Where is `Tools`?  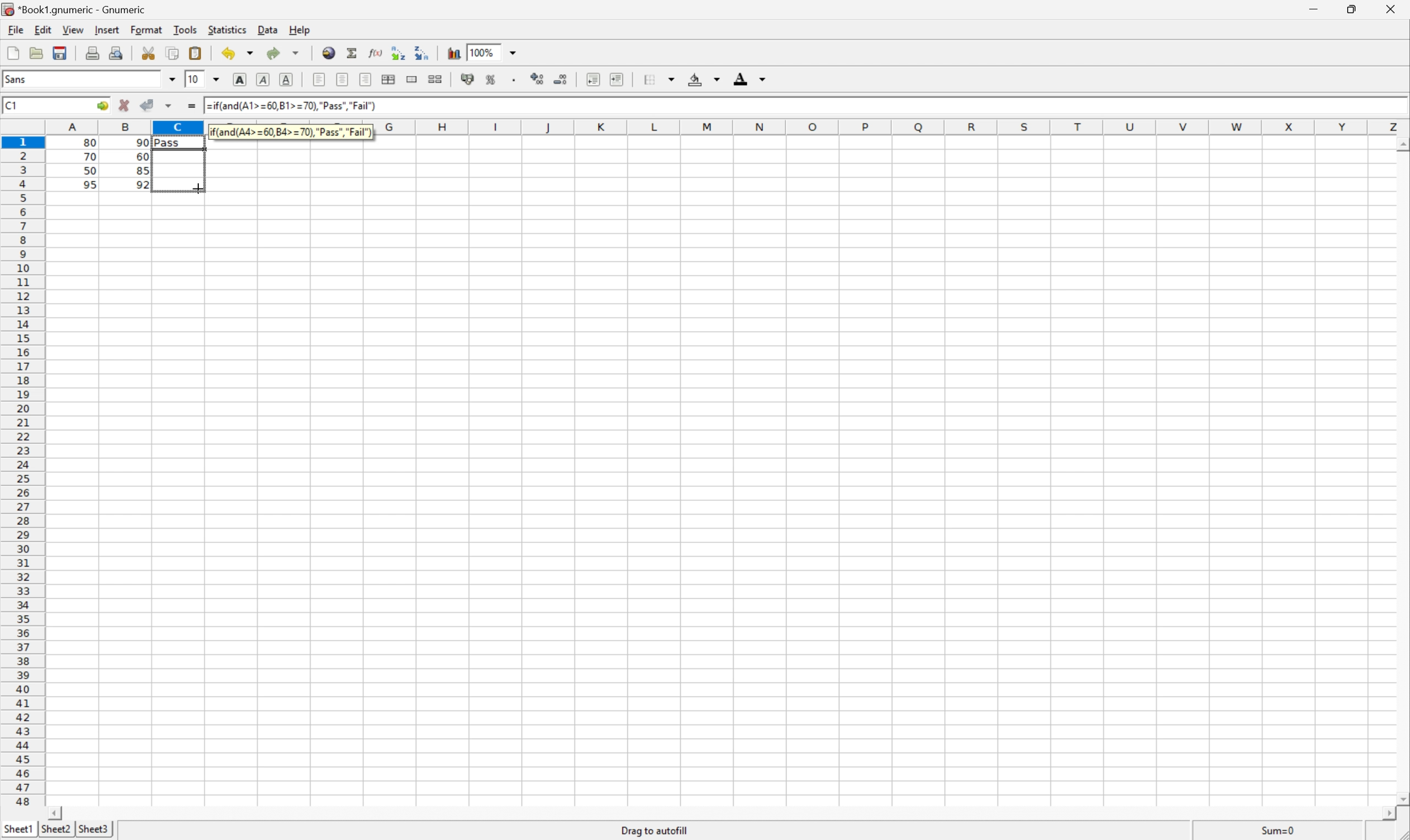 Tools is located at coordinates (184, 29).